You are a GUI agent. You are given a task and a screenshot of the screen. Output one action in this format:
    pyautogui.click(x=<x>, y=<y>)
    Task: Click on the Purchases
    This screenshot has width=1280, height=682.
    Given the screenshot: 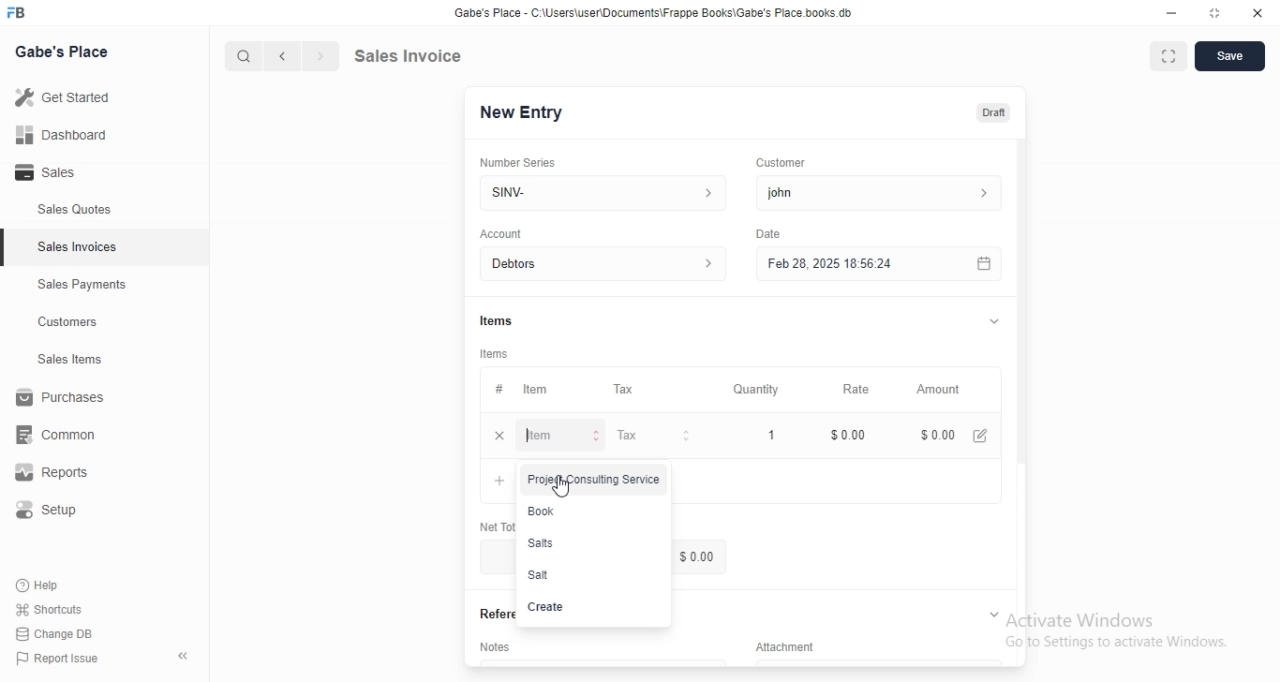 What is the action you would take?
    pyautogui.click(x=64, y=400)
    